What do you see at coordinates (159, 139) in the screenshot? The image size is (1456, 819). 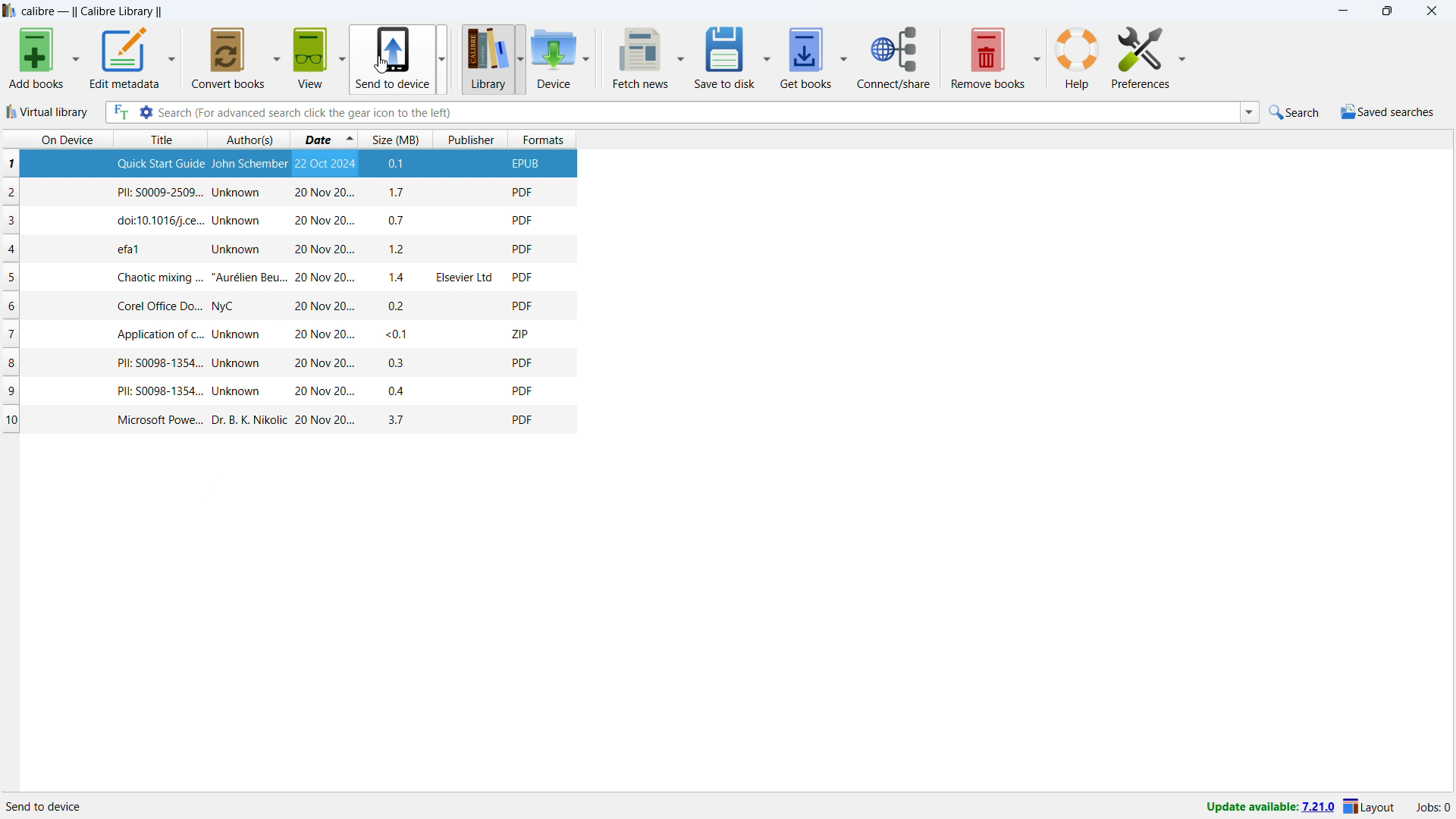 I see `sort by title` at bounding box center [159, 139].